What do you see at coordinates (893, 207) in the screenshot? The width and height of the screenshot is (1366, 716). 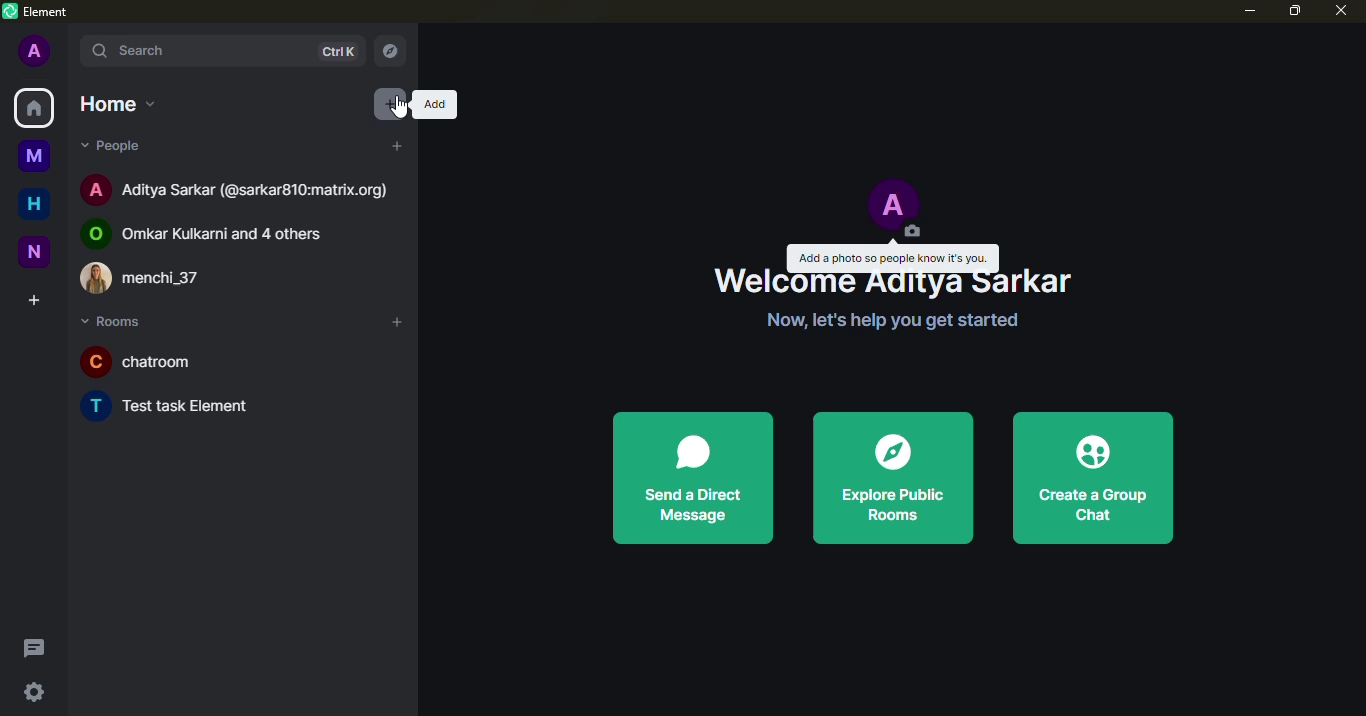 I see `profile pic` at bounding box center [893, 207].